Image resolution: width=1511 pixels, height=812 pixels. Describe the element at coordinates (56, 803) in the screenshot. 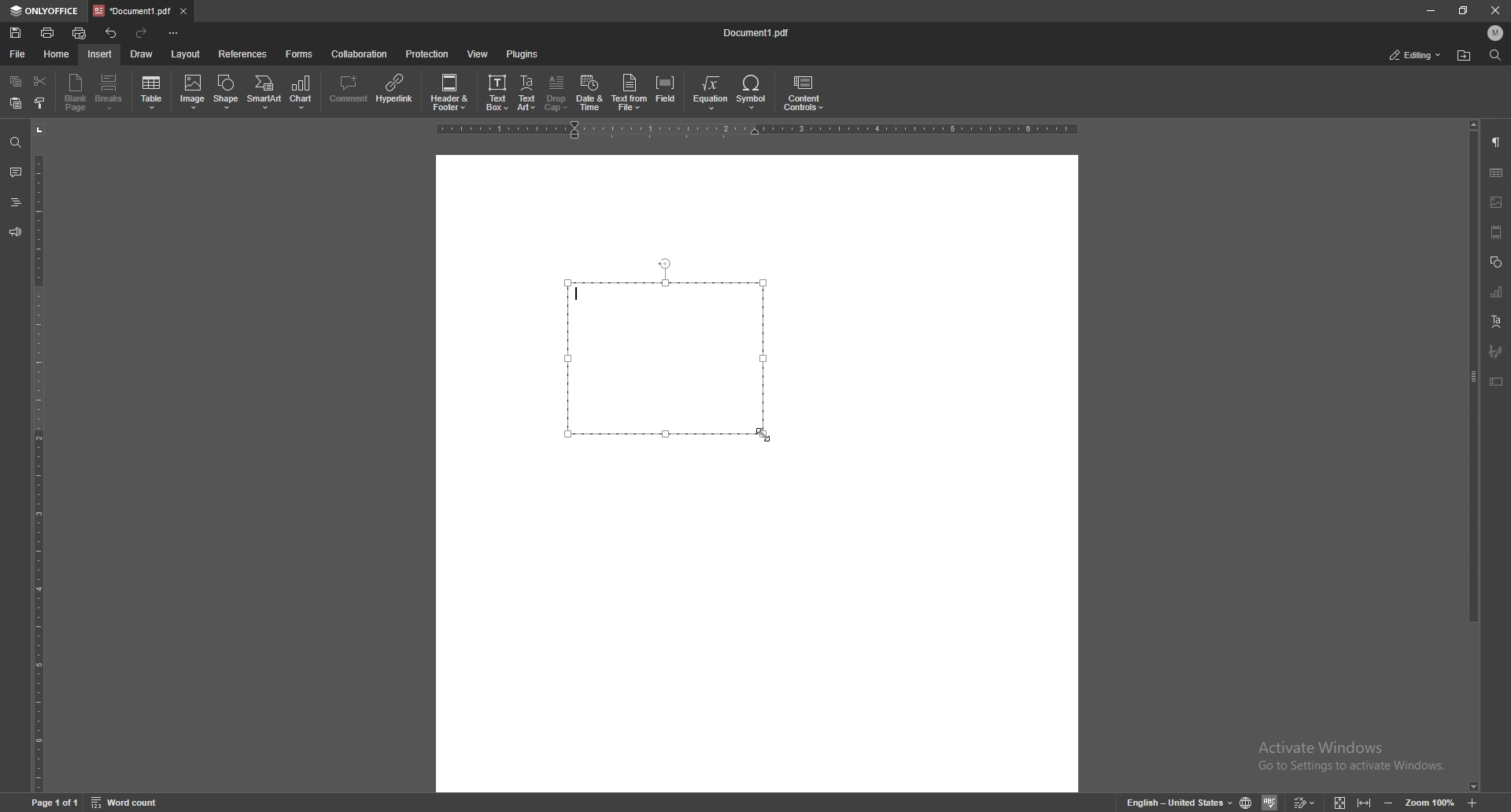

I see `page 1 of 1` at that location.